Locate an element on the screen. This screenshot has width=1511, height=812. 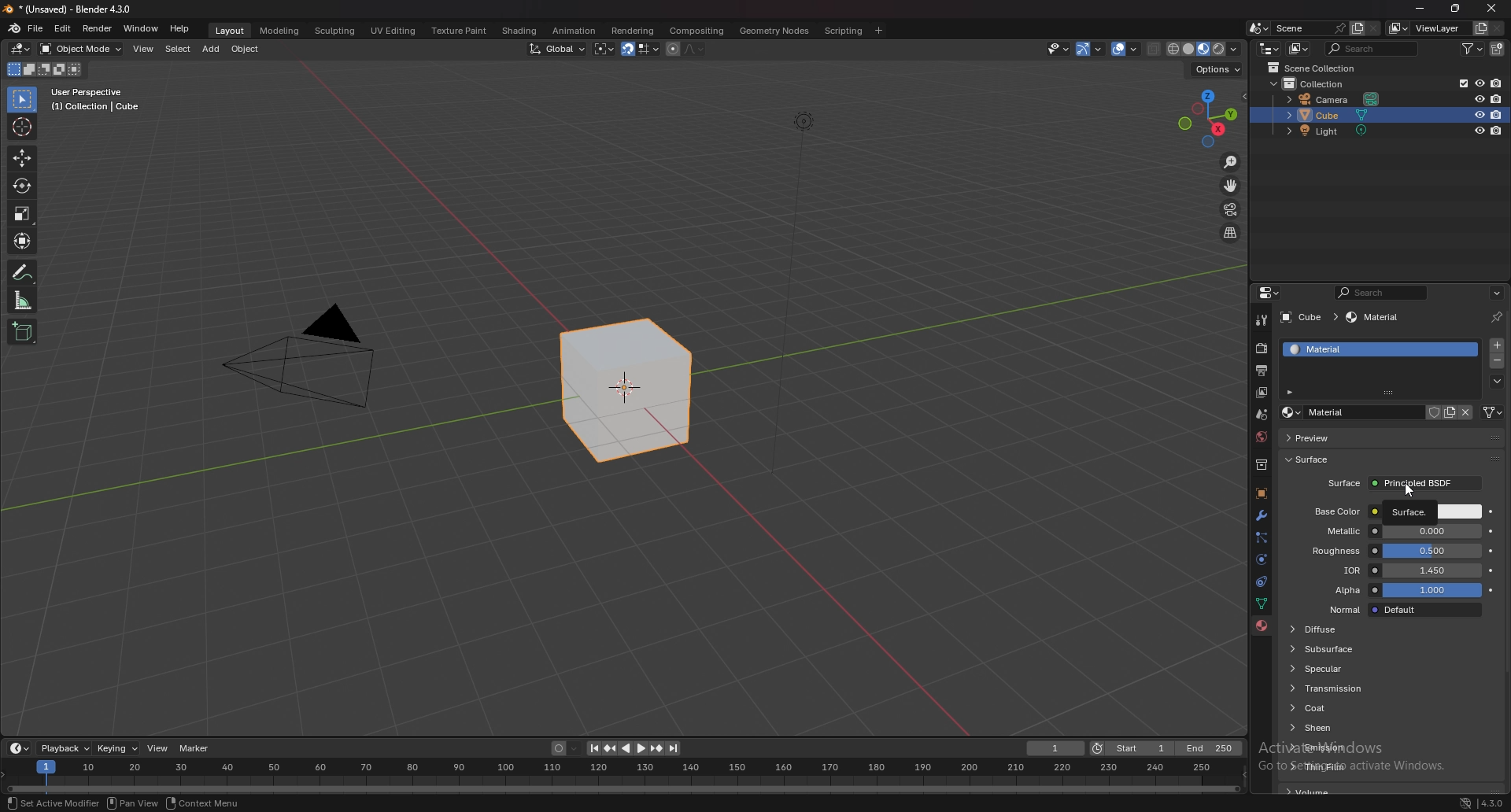
add viewlayer is located at coordinates (1481, 28).